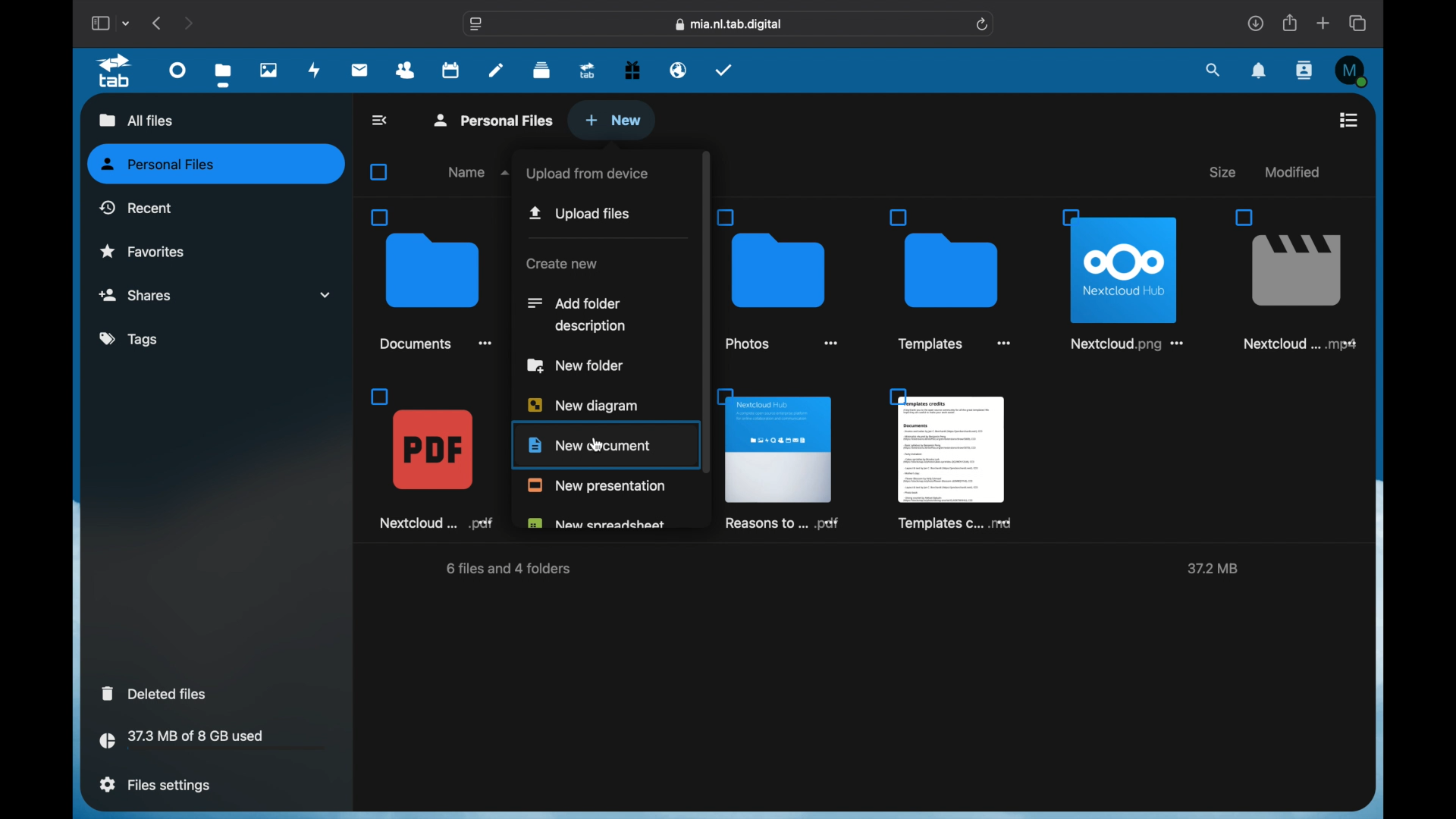 Image resolution: width=1456 pixels, height=819 pixels. I want to click on tab, so click(118, 71).